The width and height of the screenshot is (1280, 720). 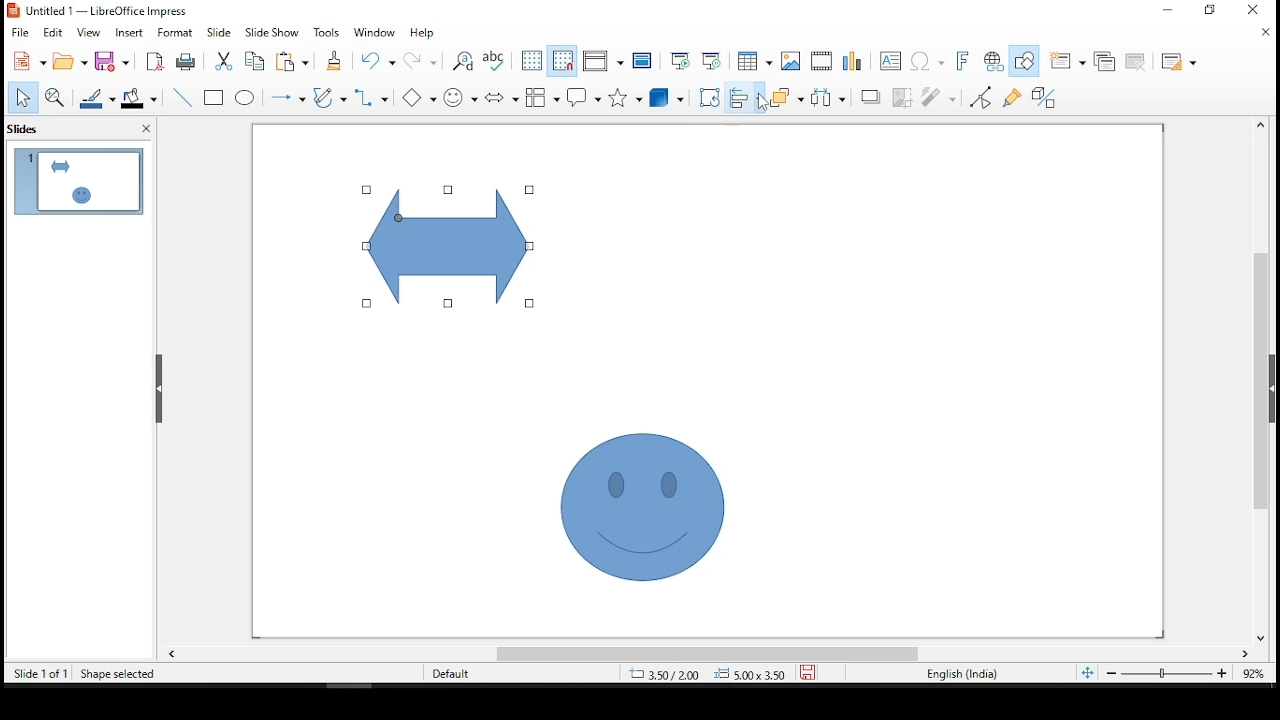 What do you see at coordinates (959, 63) in the screenshot?
I see `insert font work text` at bounding box center [959, 63].